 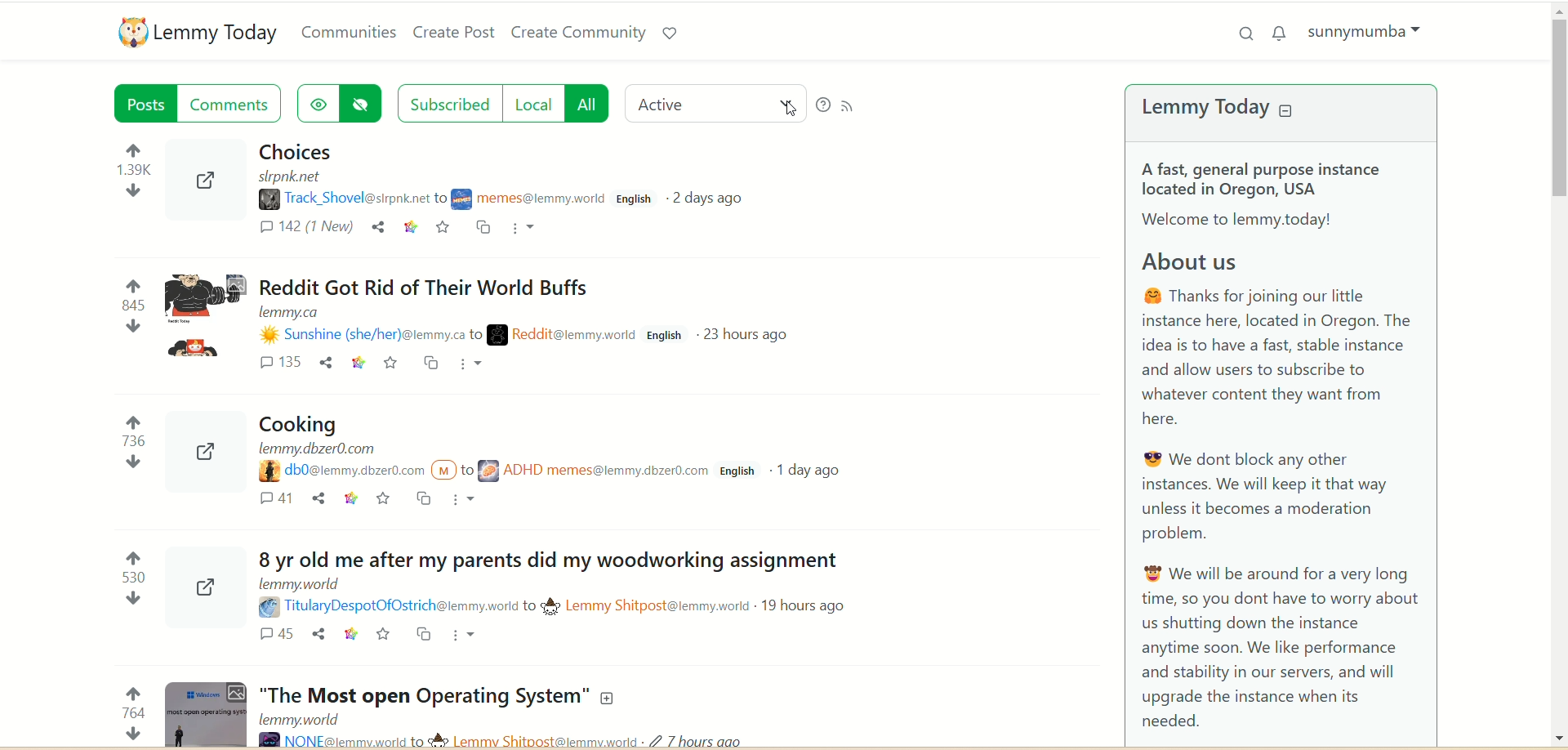 I want to click on search, so click(x=1242, y=33).